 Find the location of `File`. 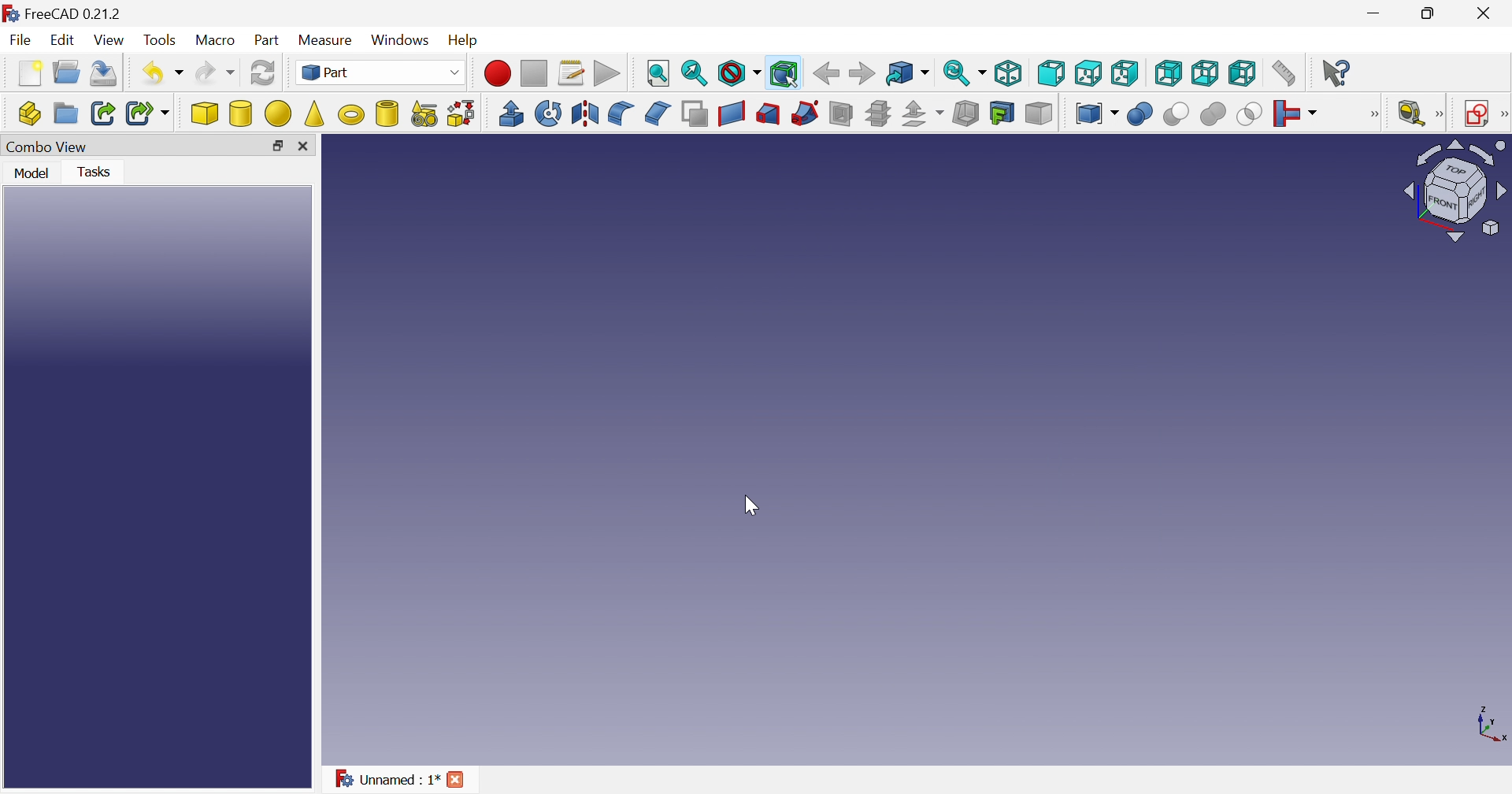

File is located at coordinates (21, 42).